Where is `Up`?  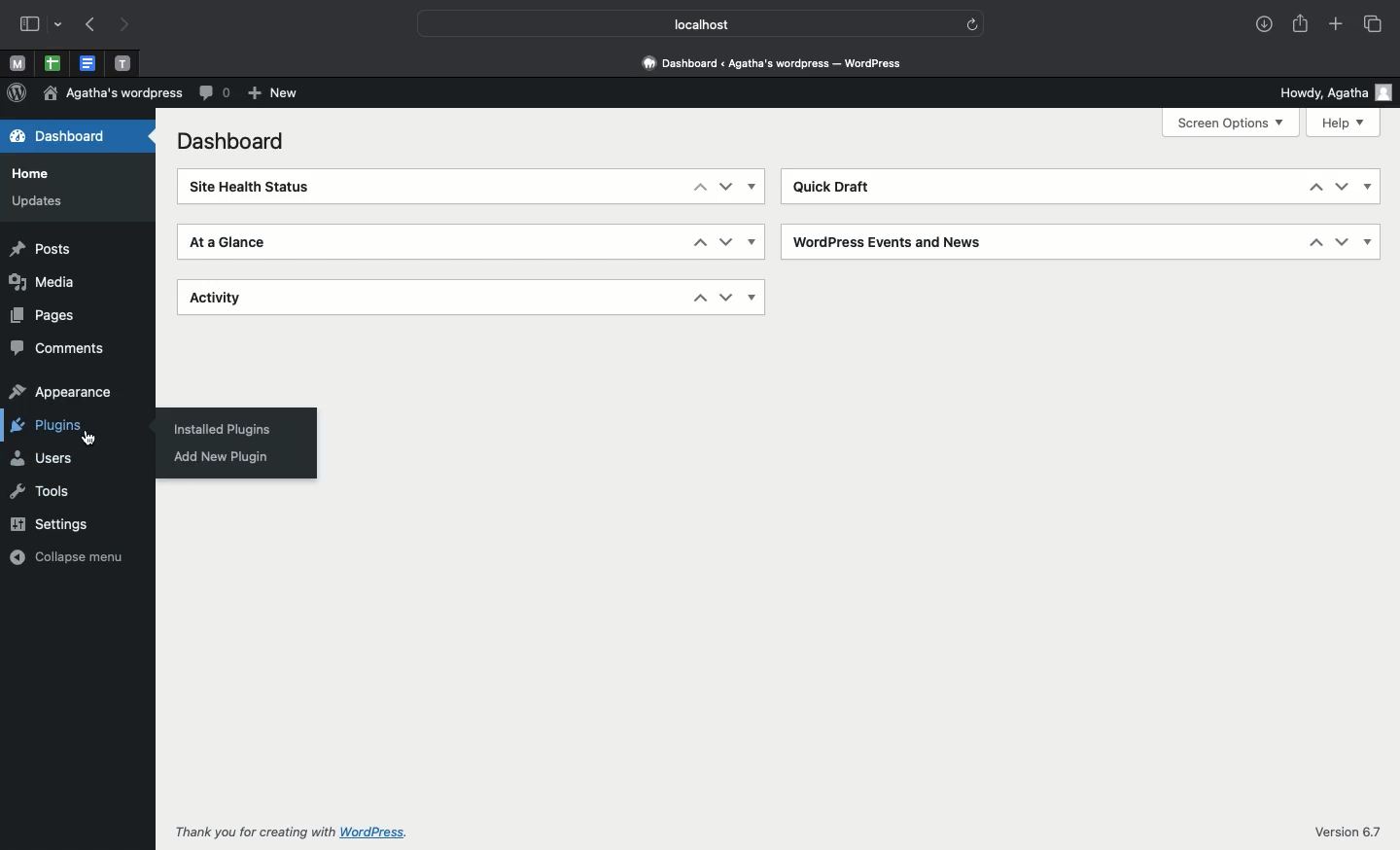
Up is located at coordinates (697, 297).